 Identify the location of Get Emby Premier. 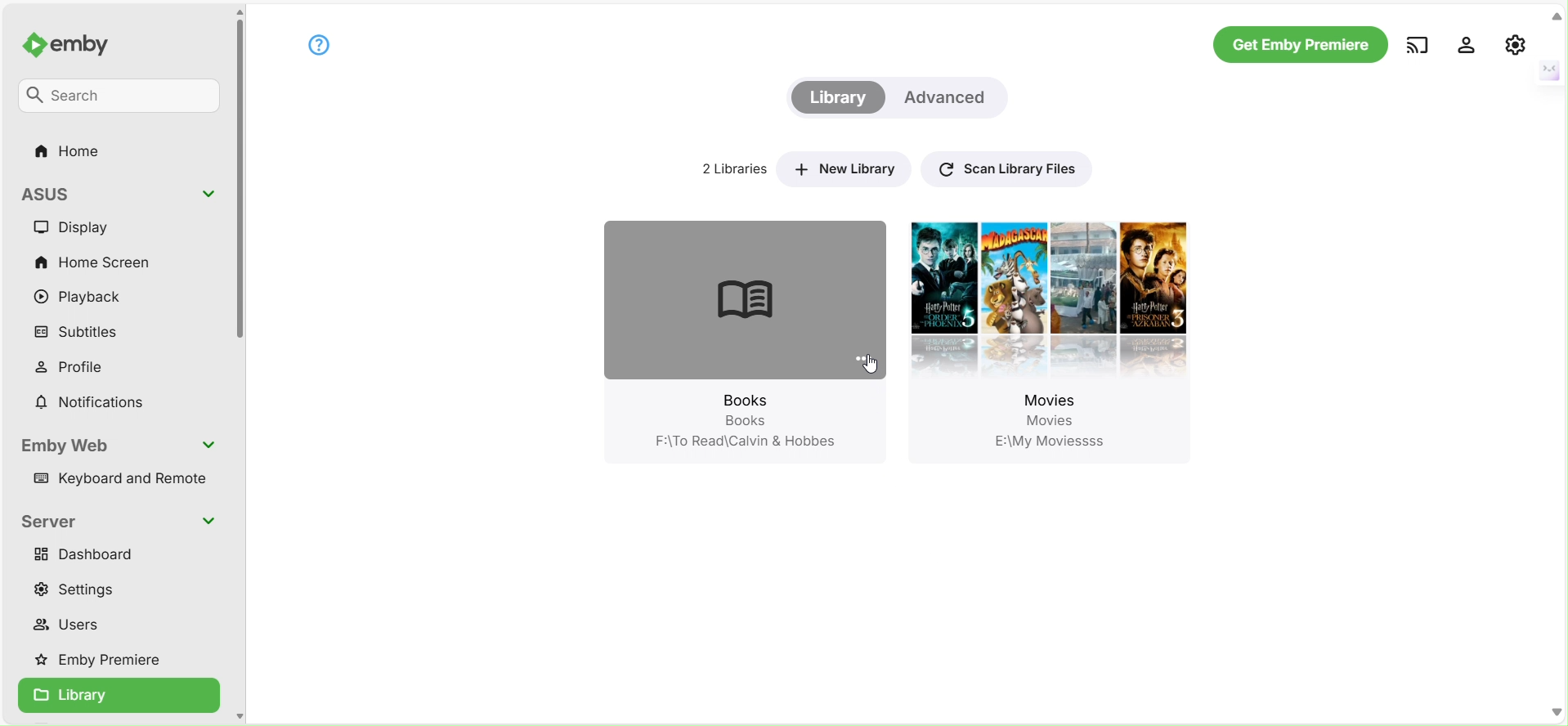
(1299, 45).